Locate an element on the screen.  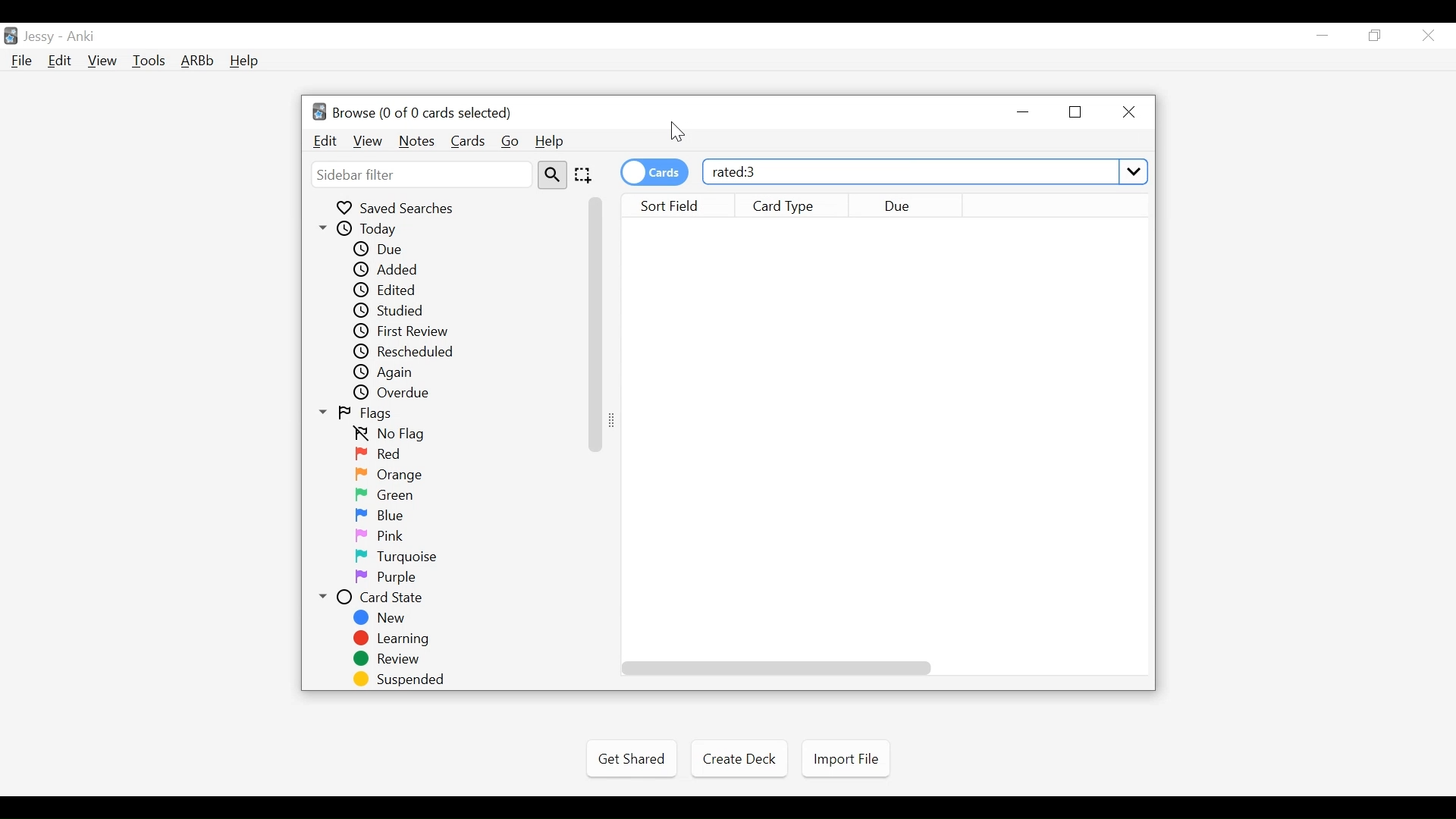
Advanced Review Button bar is located at coordinates (199, 60).